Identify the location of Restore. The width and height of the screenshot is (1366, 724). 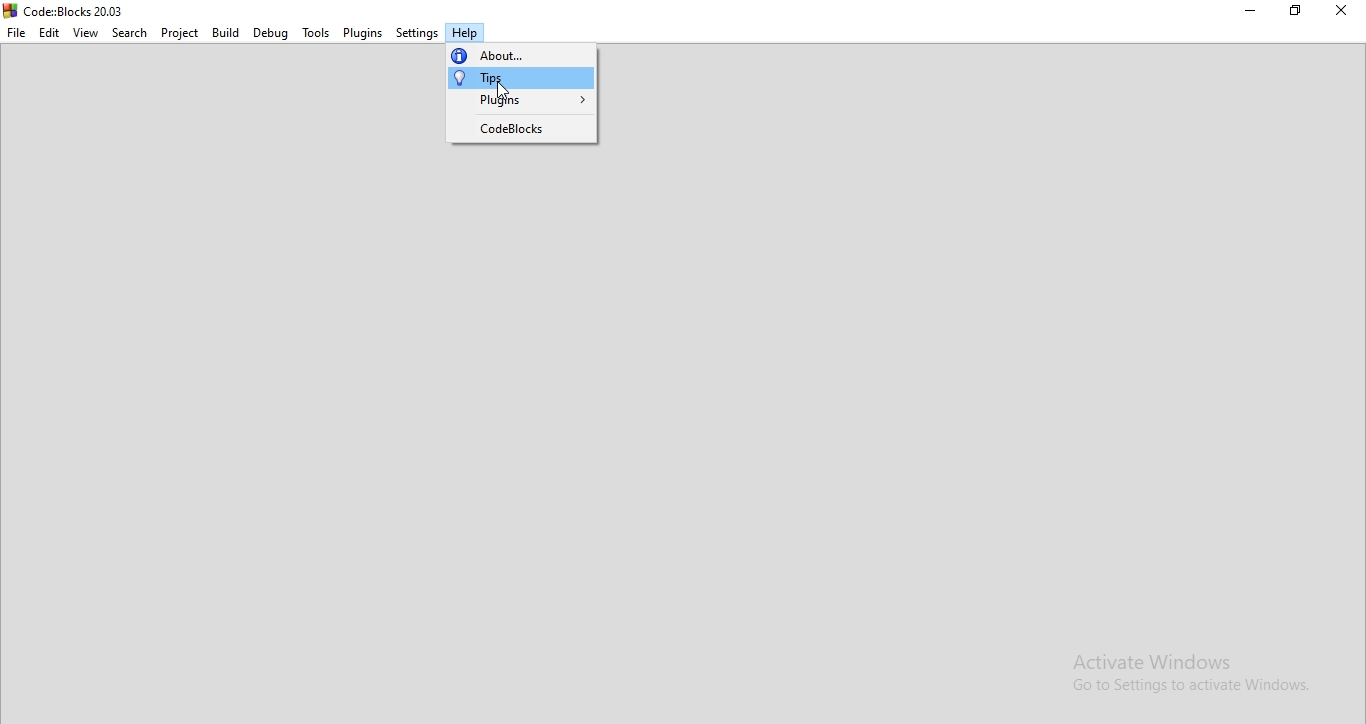
(1295, 13).